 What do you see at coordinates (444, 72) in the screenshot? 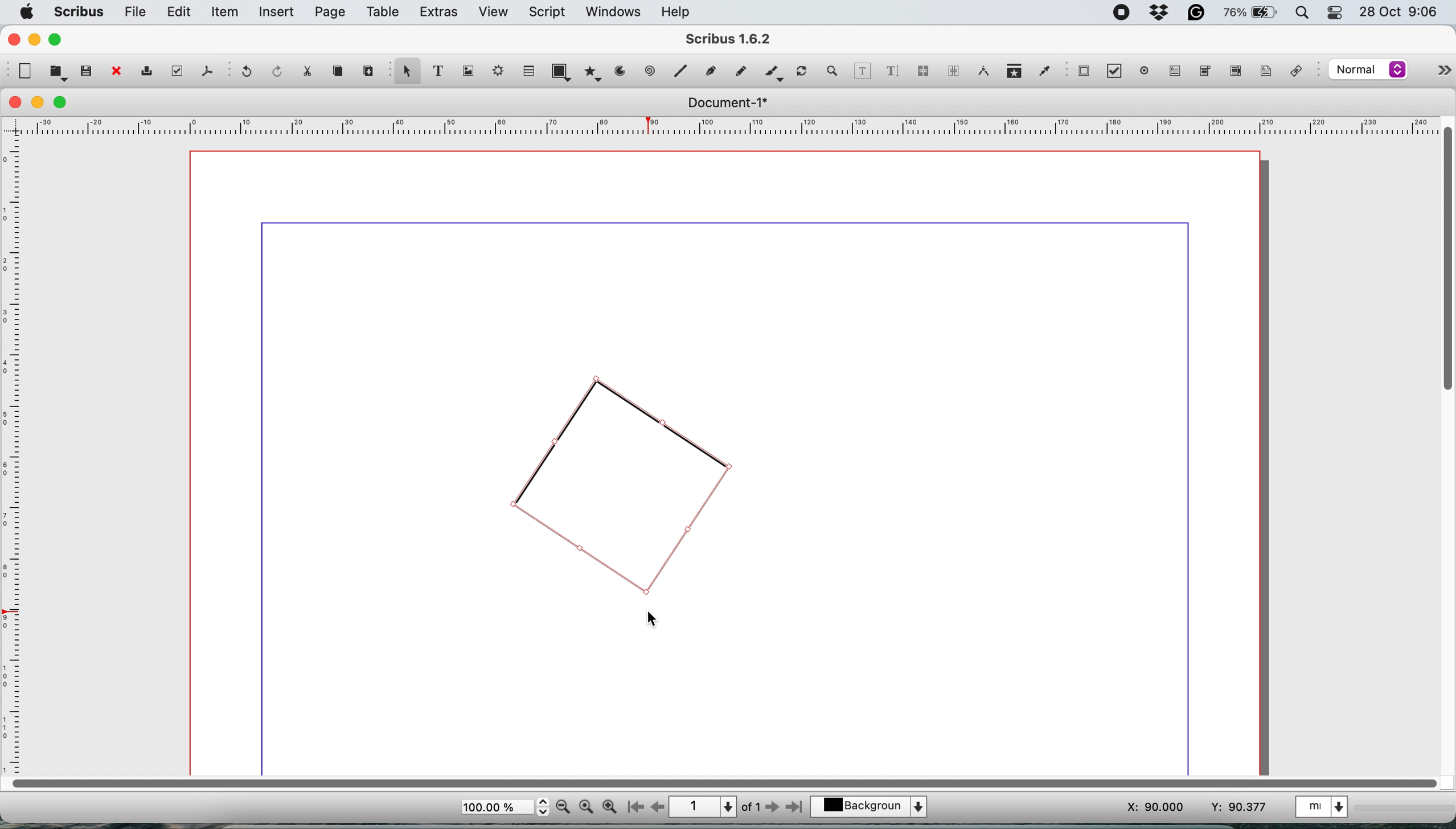
I see `text frame` at bounding box center [444, 72].